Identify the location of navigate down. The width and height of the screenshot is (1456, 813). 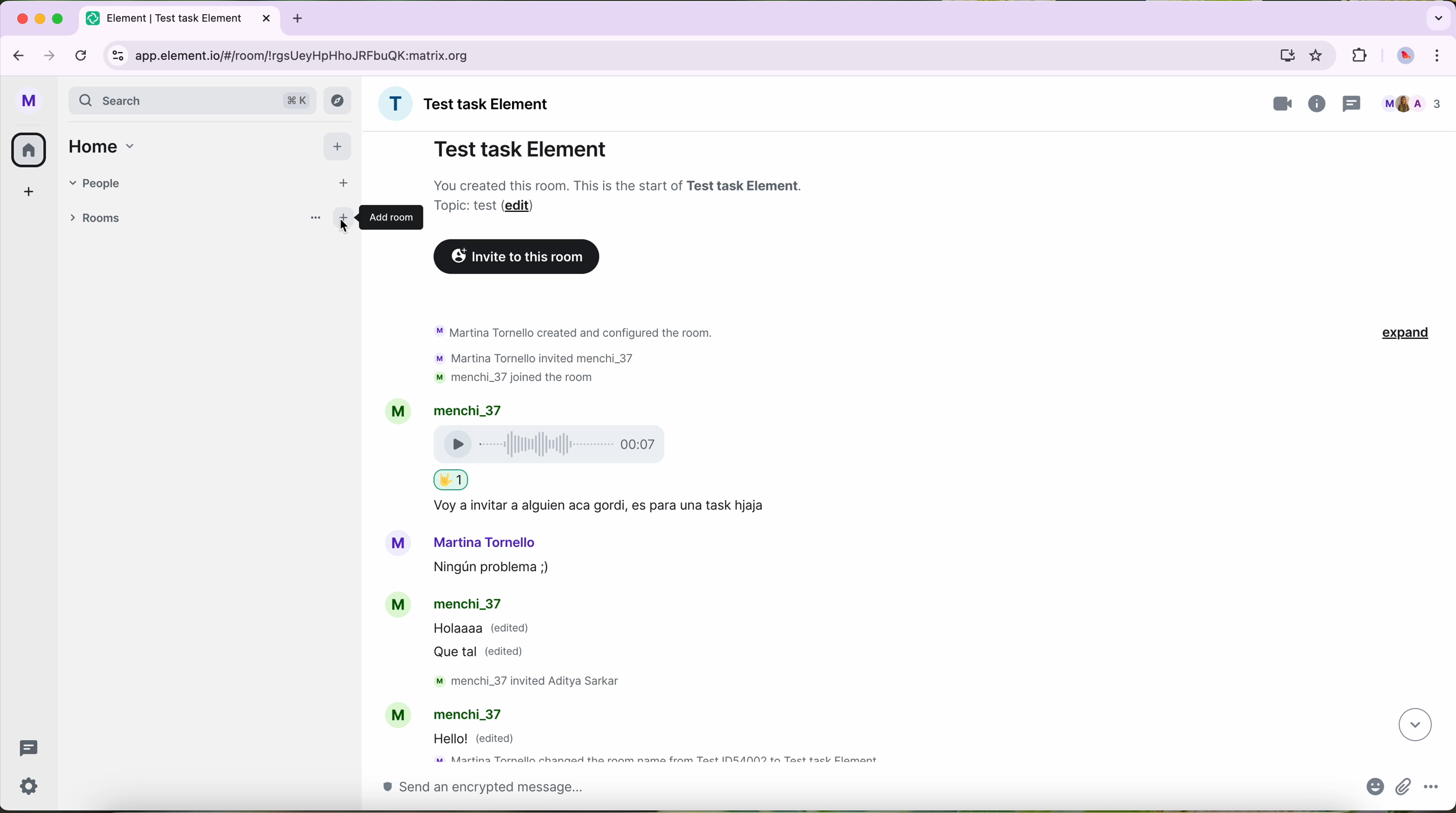
(1413, 725).